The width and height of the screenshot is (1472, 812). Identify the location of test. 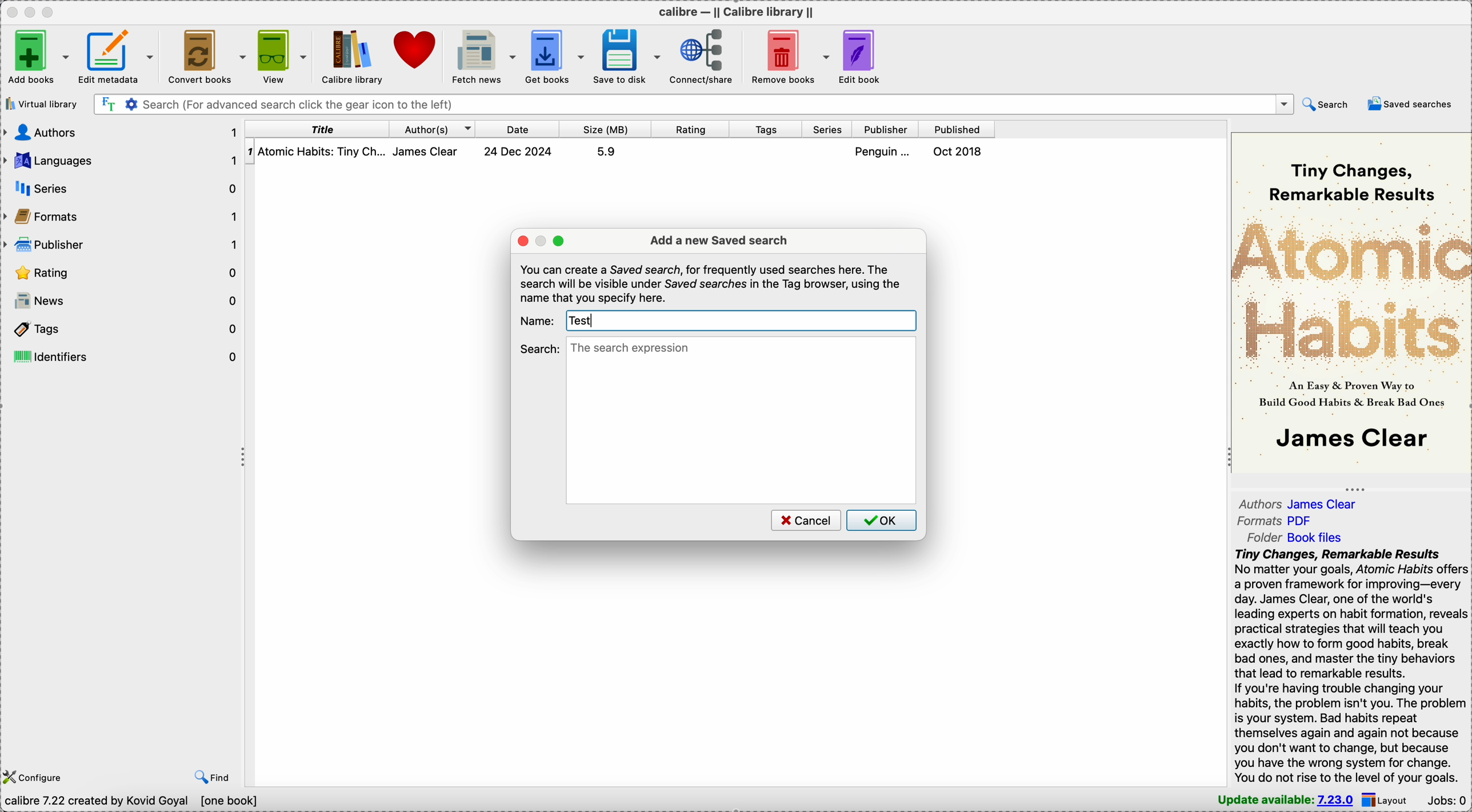
(583, 321).